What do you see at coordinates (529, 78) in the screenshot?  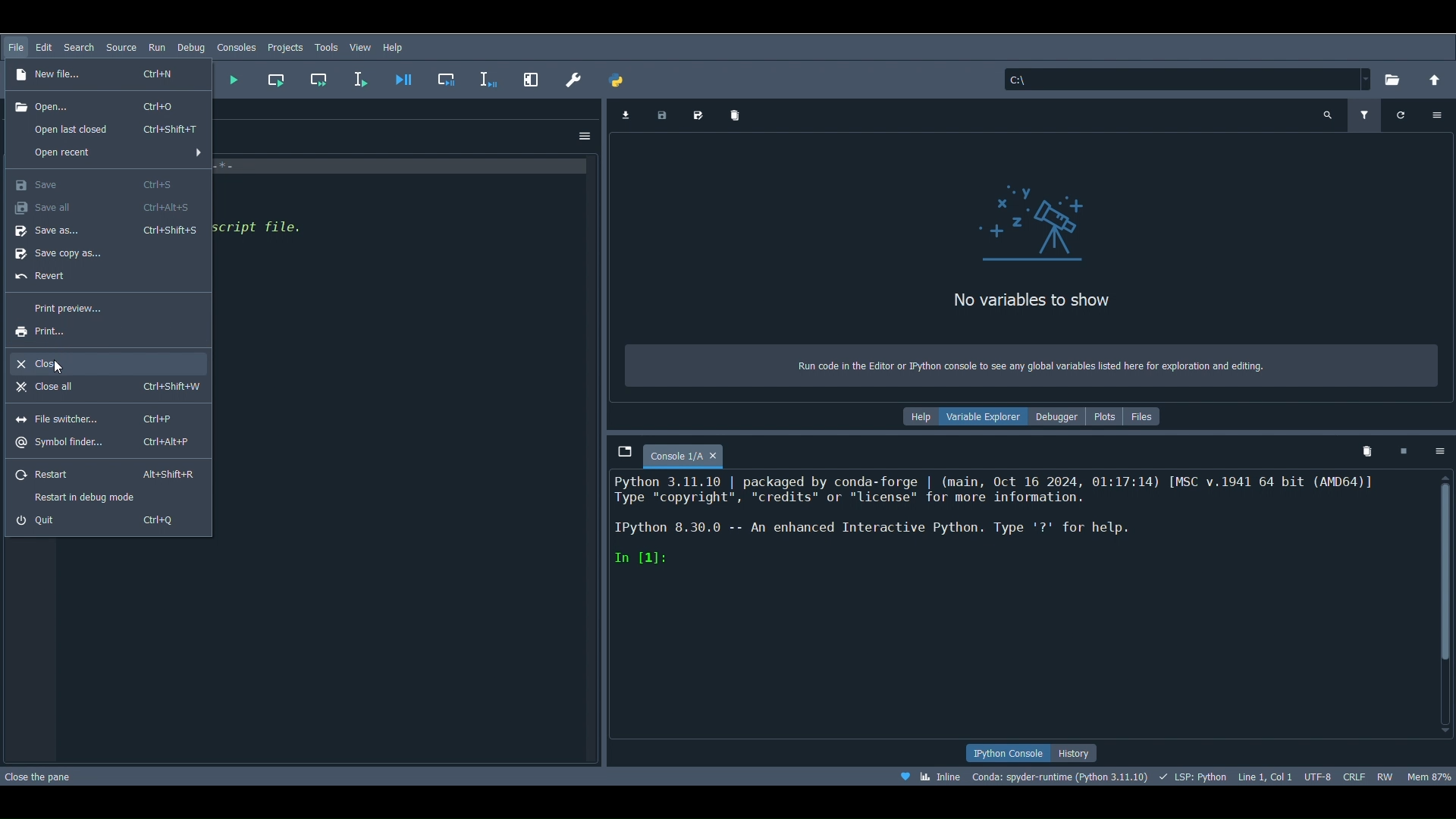 I see `Maximize current pane (Ctrl + Alt + Shift + M)` at bounding box center [529, 78].